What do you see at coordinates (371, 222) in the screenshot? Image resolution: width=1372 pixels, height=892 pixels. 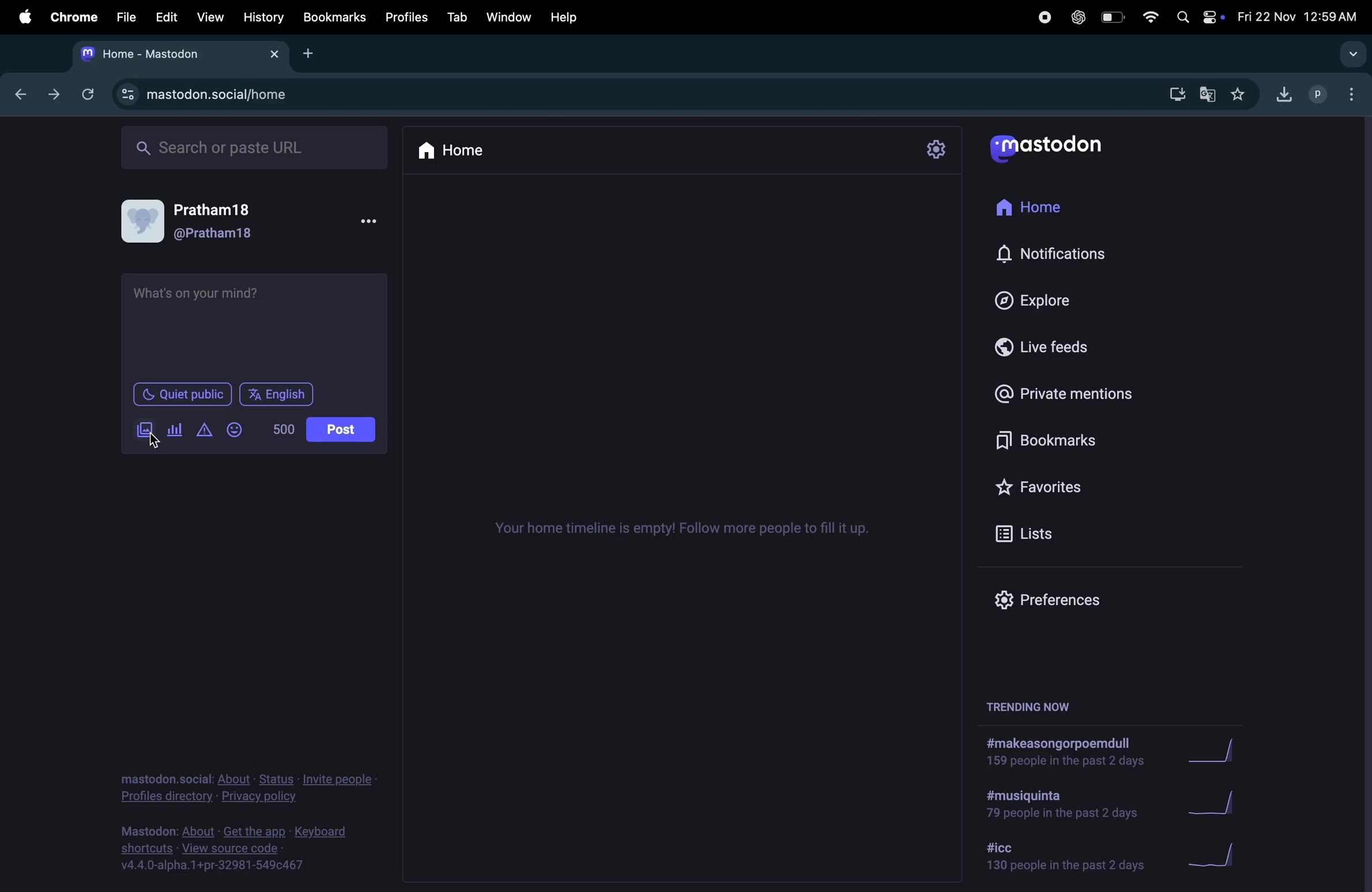 I see `More options` at bounding box center [371, 222].